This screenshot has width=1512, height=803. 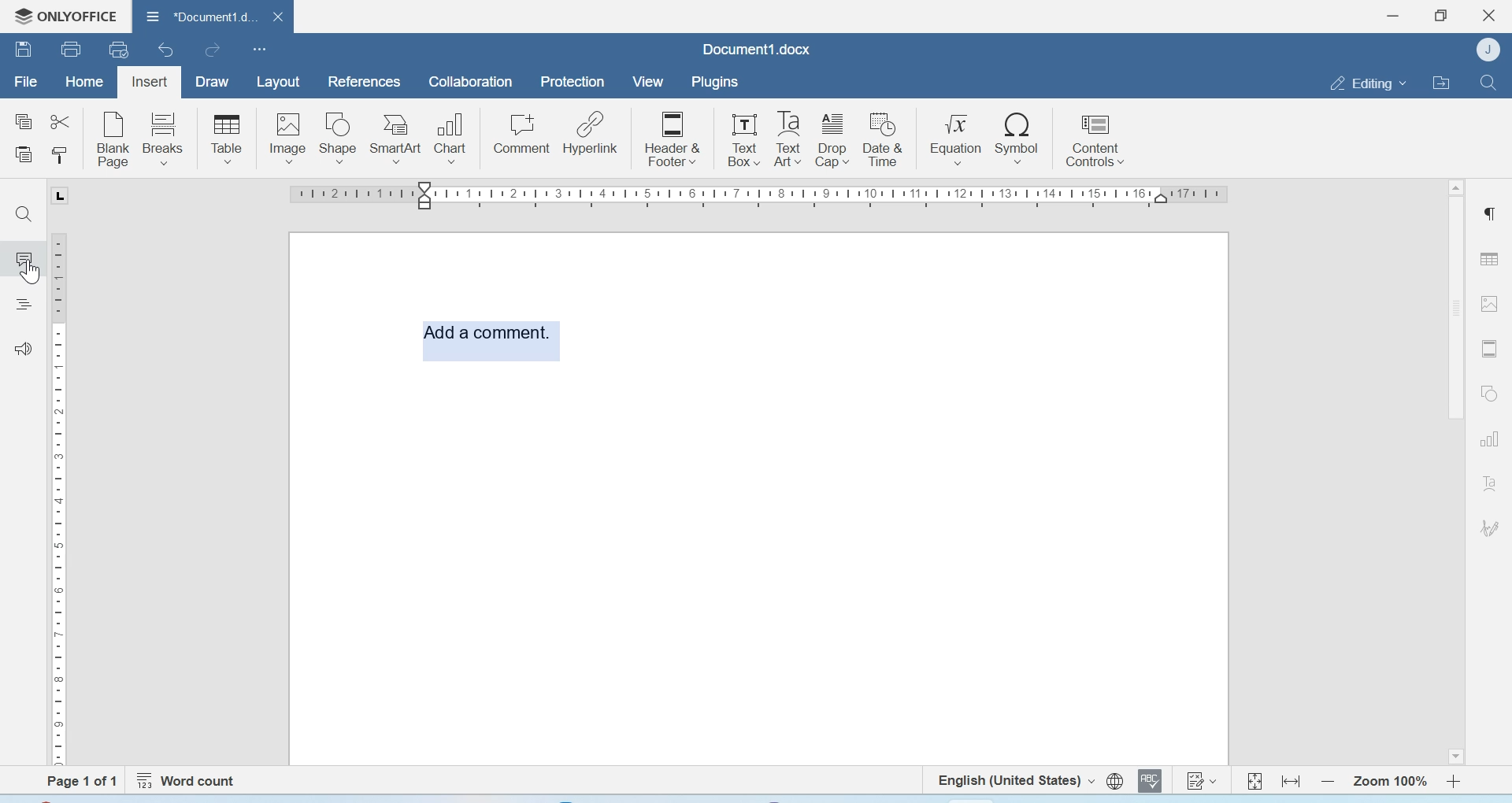 What do you see at coordinates (23, 306) in the screenshot?
I see `Headings` at bounding box center [23, 306].